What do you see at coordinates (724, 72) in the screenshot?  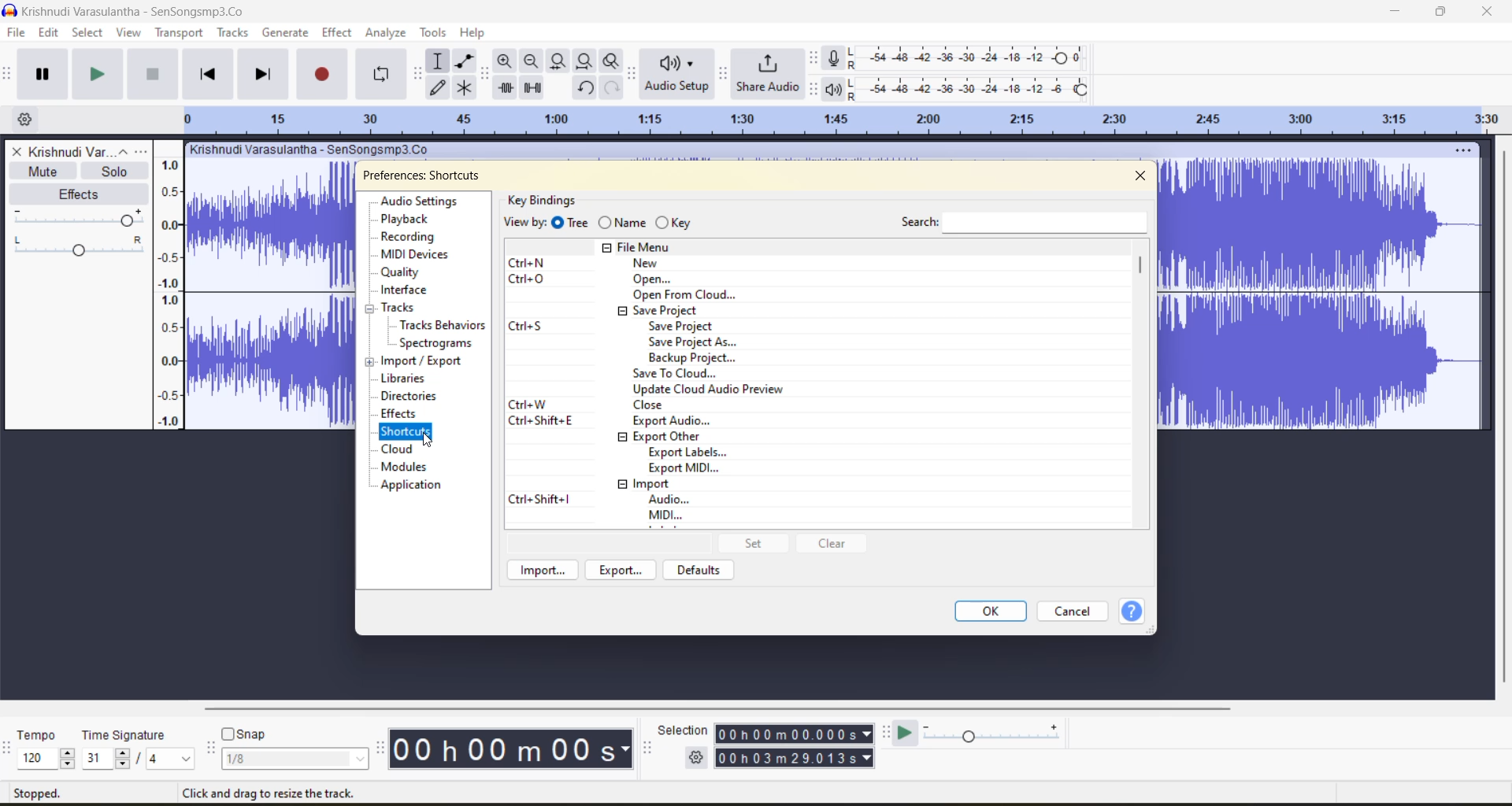 I see `share audio toolbar` at bounding box center [724, 72].